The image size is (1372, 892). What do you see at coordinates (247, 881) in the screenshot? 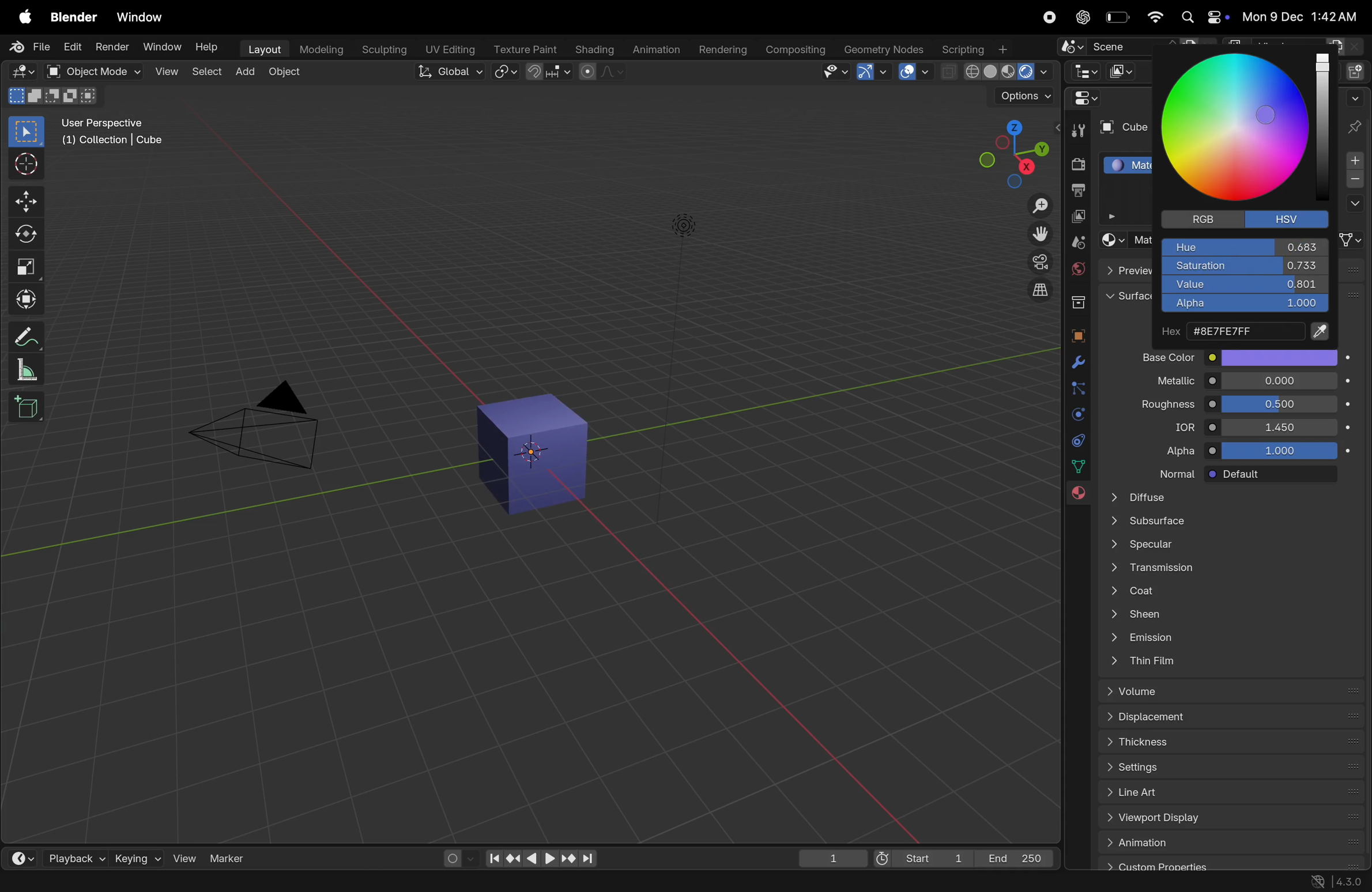
I see `context menu` at bounding box center [247, 881].